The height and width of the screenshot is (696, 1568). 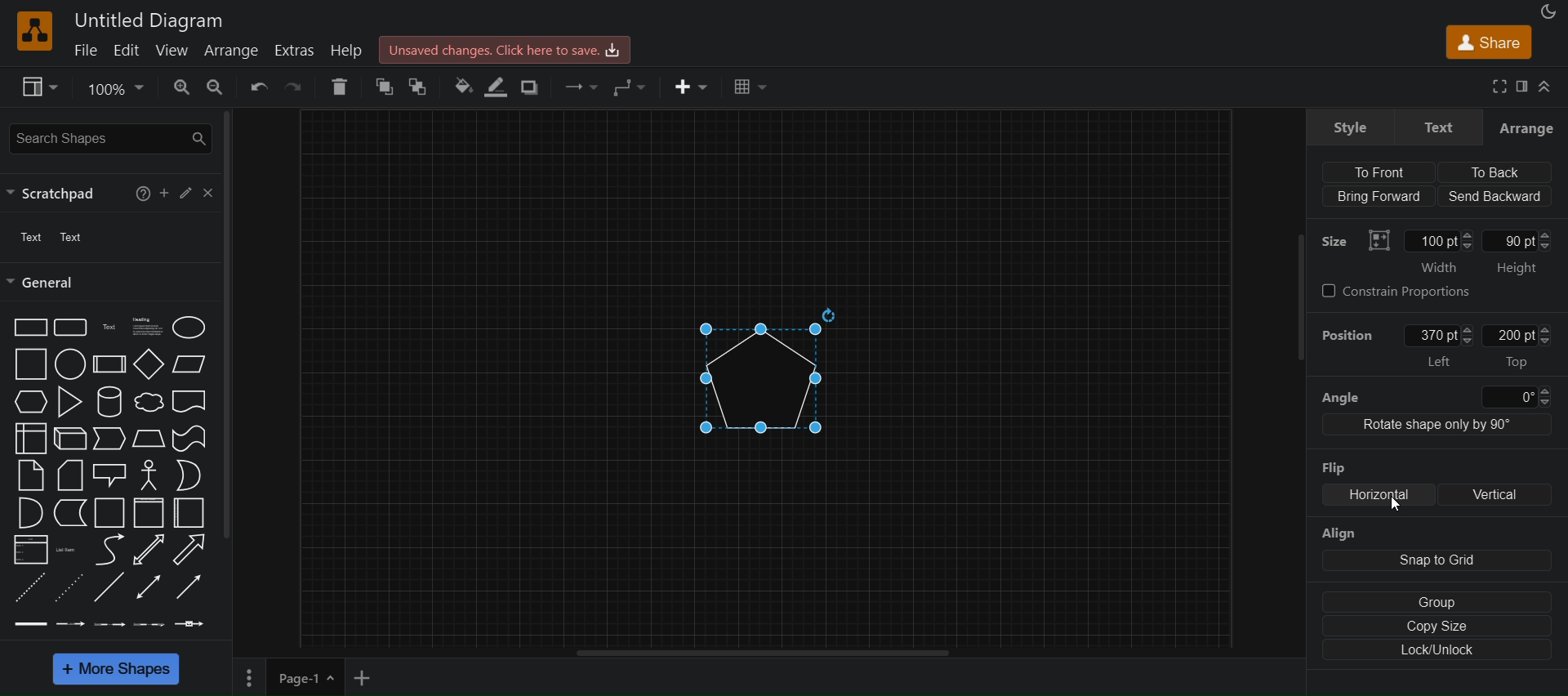 What do you see at coordinates (762, 653) in the screenshot?
I see `horizontal scroll bar` at bounding box center [762, 653].